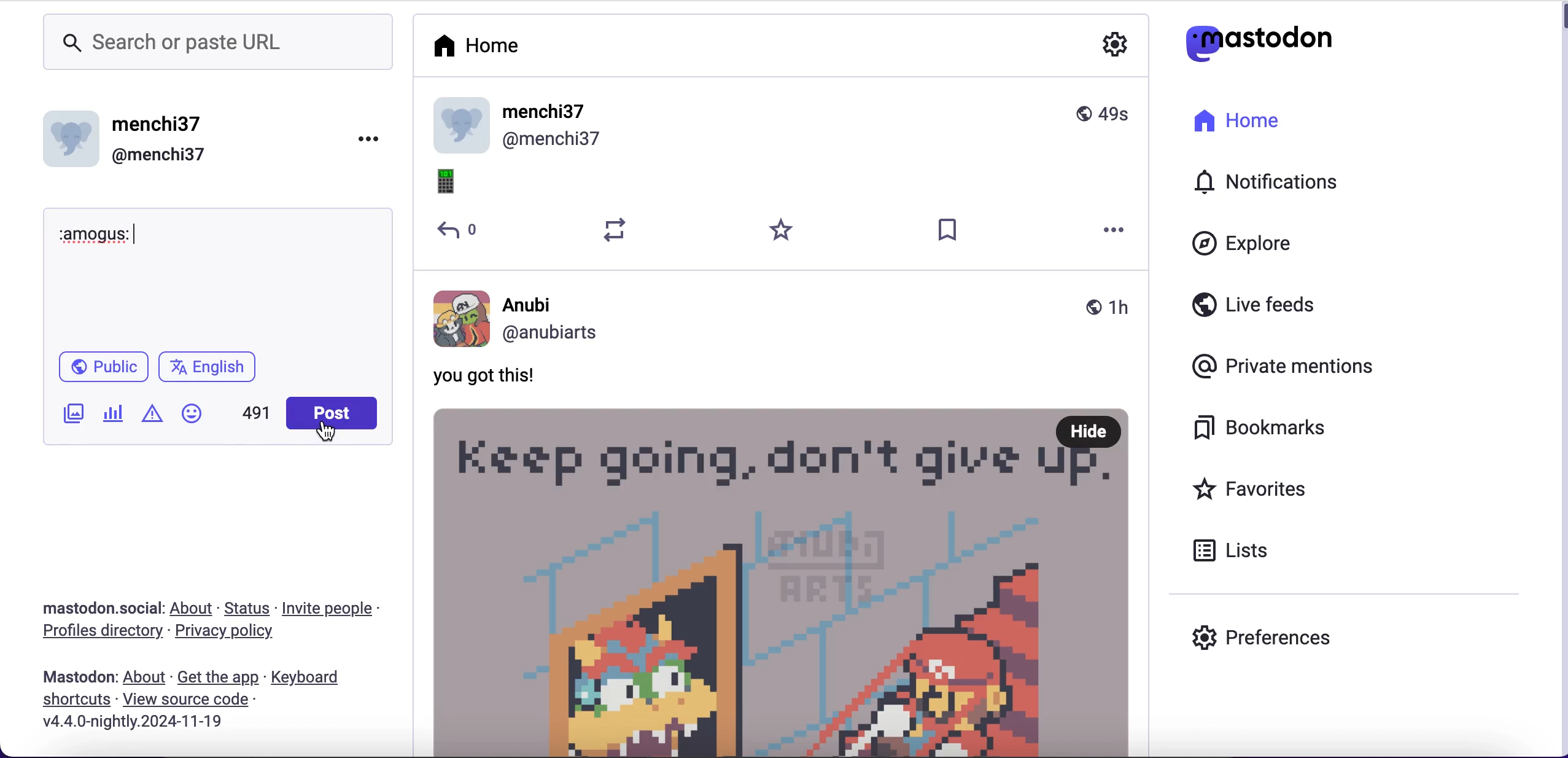 The image size is (1568, 758). Describe the element at coordinates (132, 725) in the screenshot. I see `v4.4.0-nightly.2024-11-19` at that location.